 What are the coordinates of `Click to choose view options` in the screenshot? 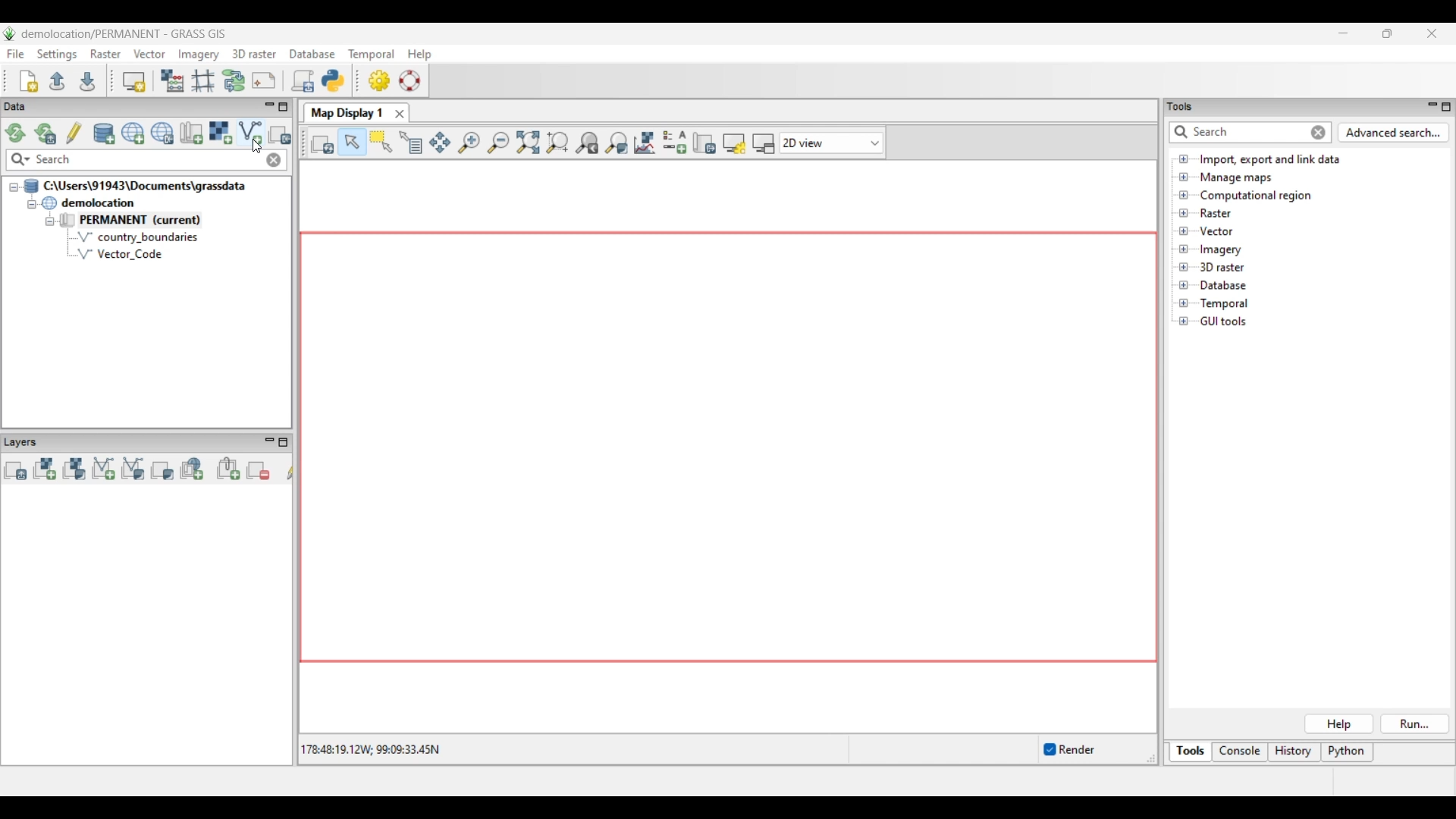 It's located at (831, 143).